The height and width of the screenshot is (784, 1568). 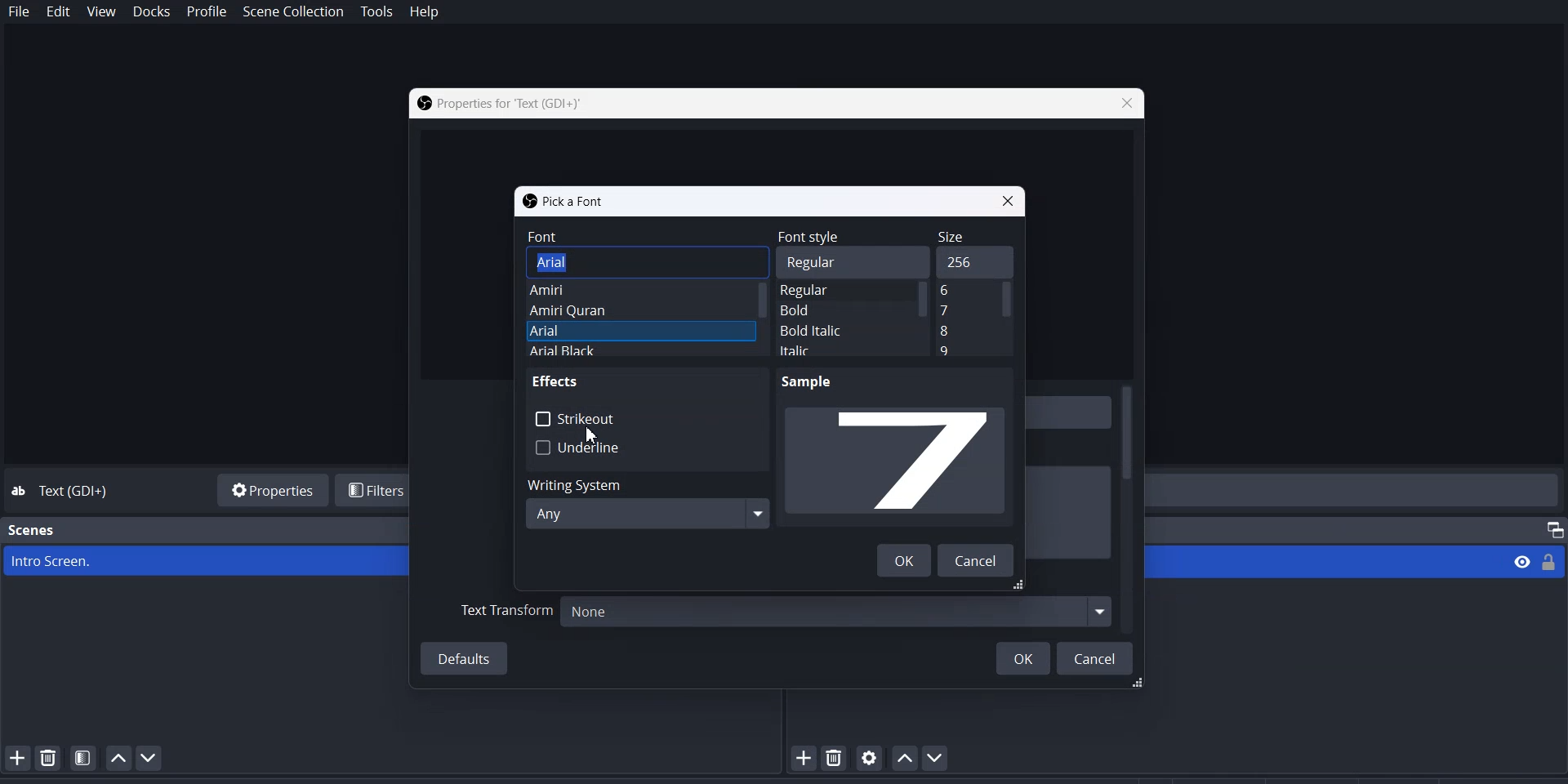 What do you see at coordinates (295, 12) in the screenshot?
I see `Scene collection` at bounding box center [295, 12].